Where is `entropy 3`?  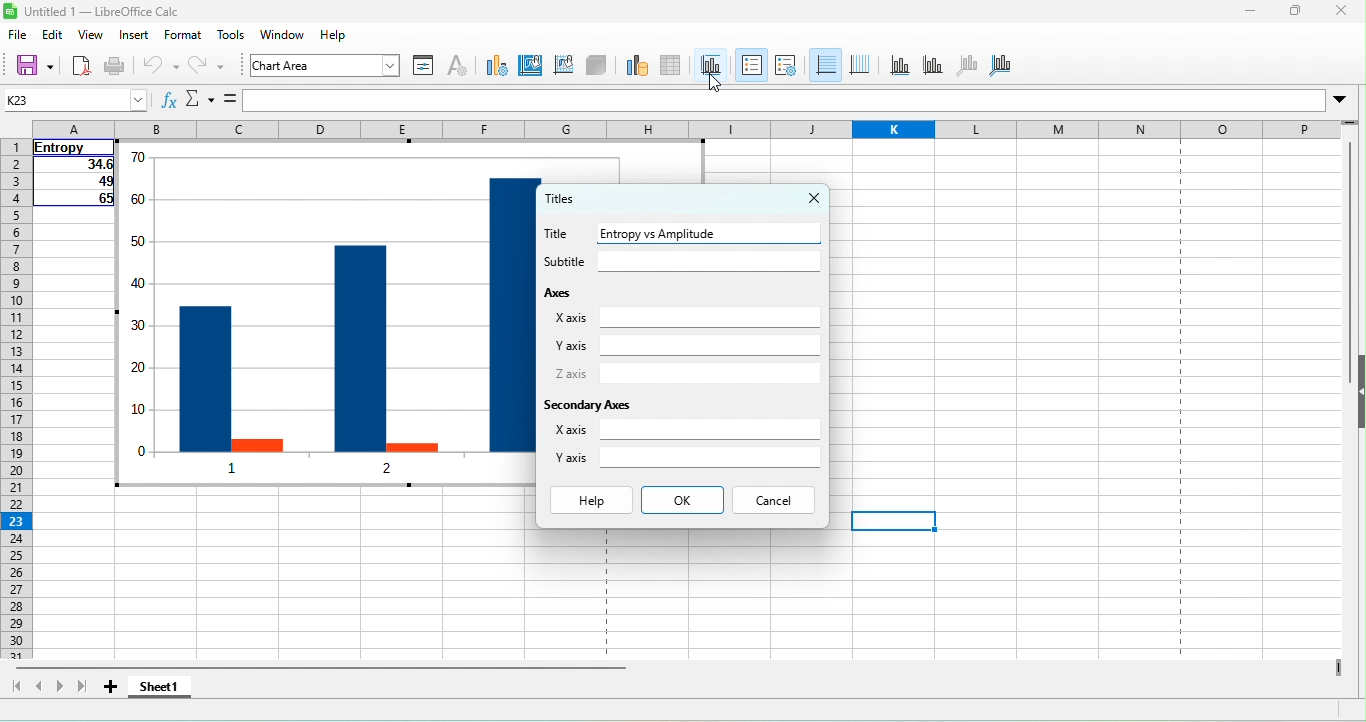
entropy 3 is located at coordinates (508, 315).